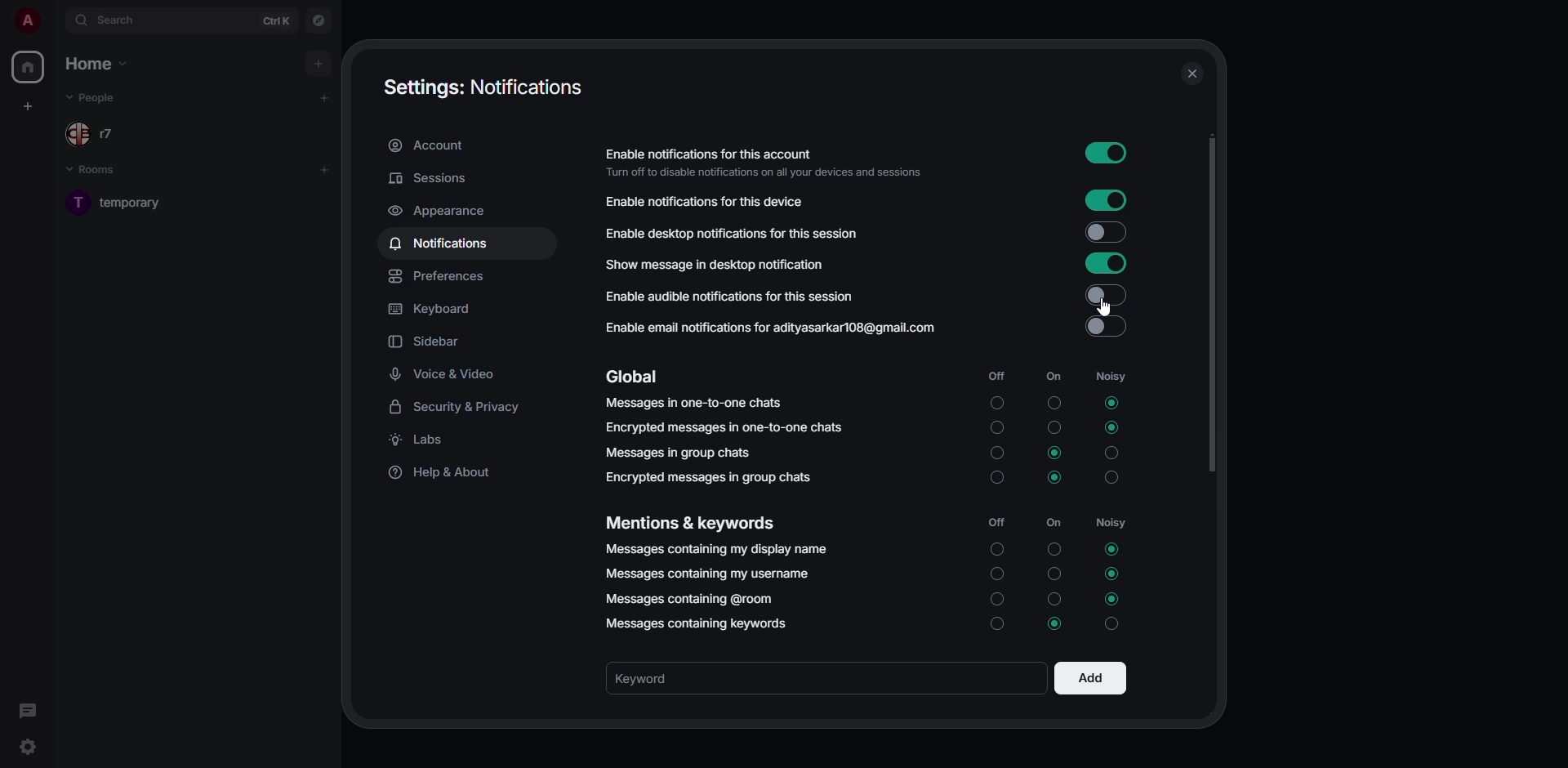 This screenshot has height=768, width=1568. Describe the element at coordinates (324, 96) in the screenshot. I see `add` at that location.